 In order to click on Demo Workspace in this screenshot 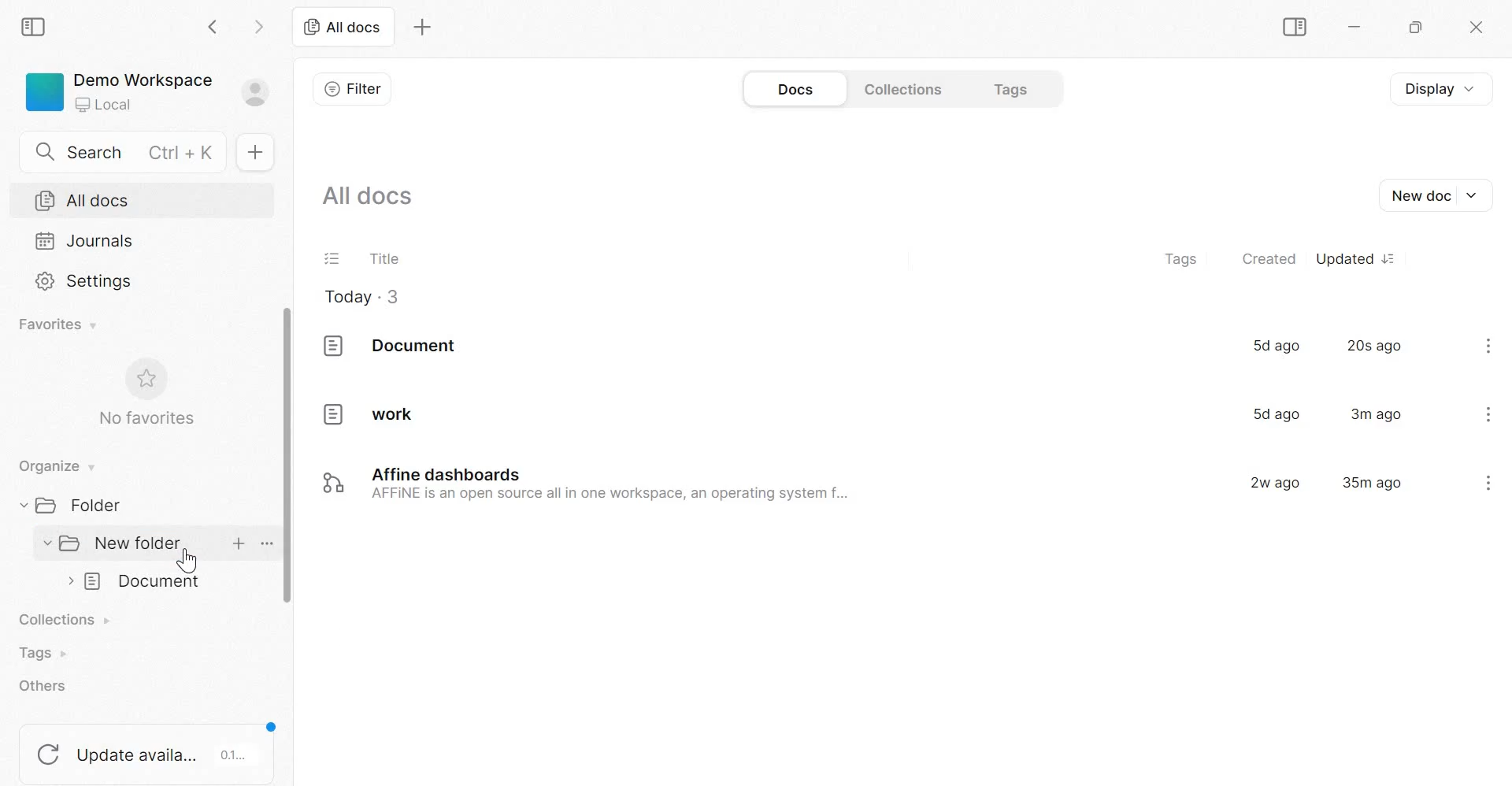, I will do `click(147, 92)`.